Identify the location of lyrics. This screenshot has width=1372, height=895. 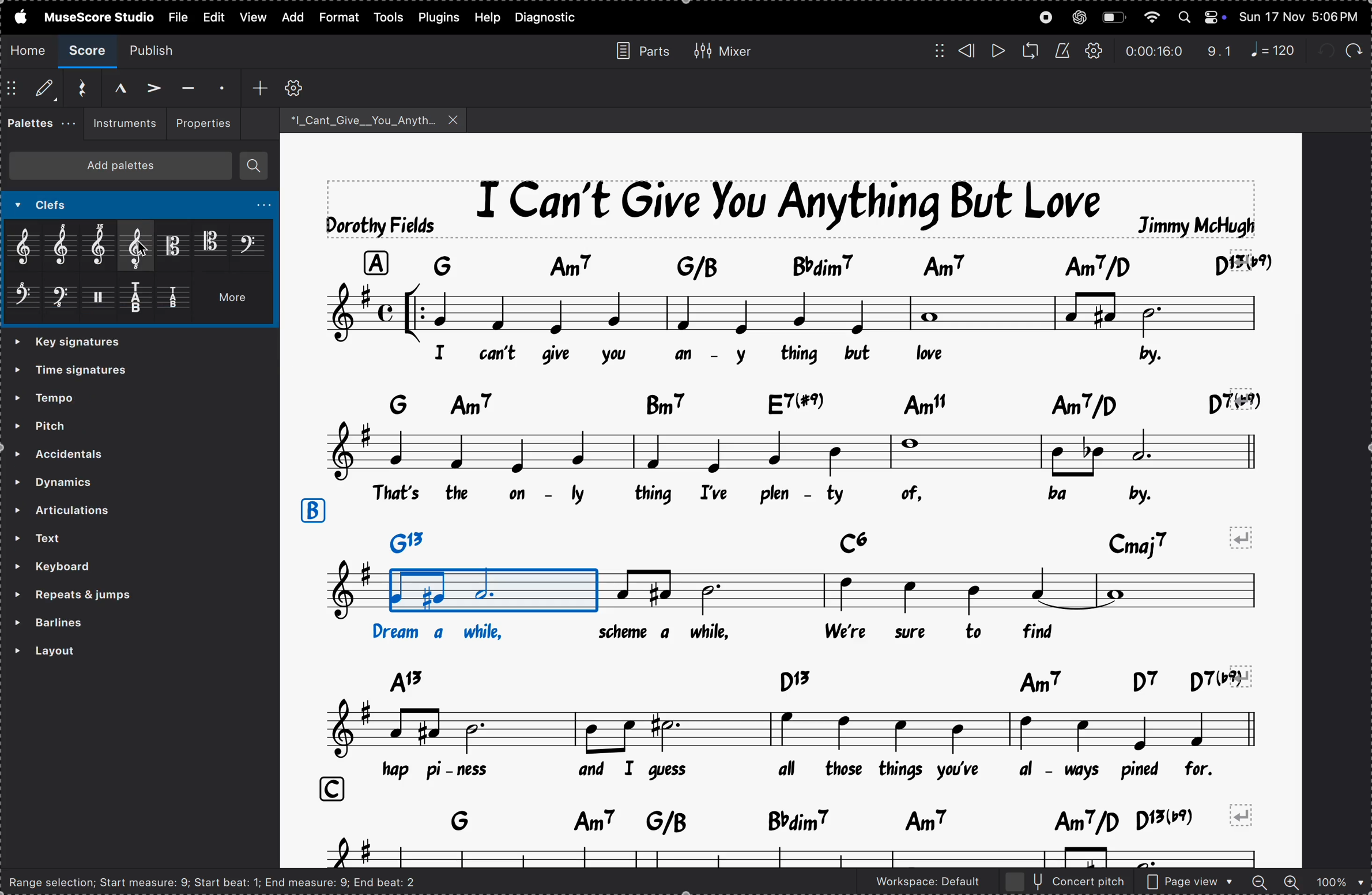
(798, 495).